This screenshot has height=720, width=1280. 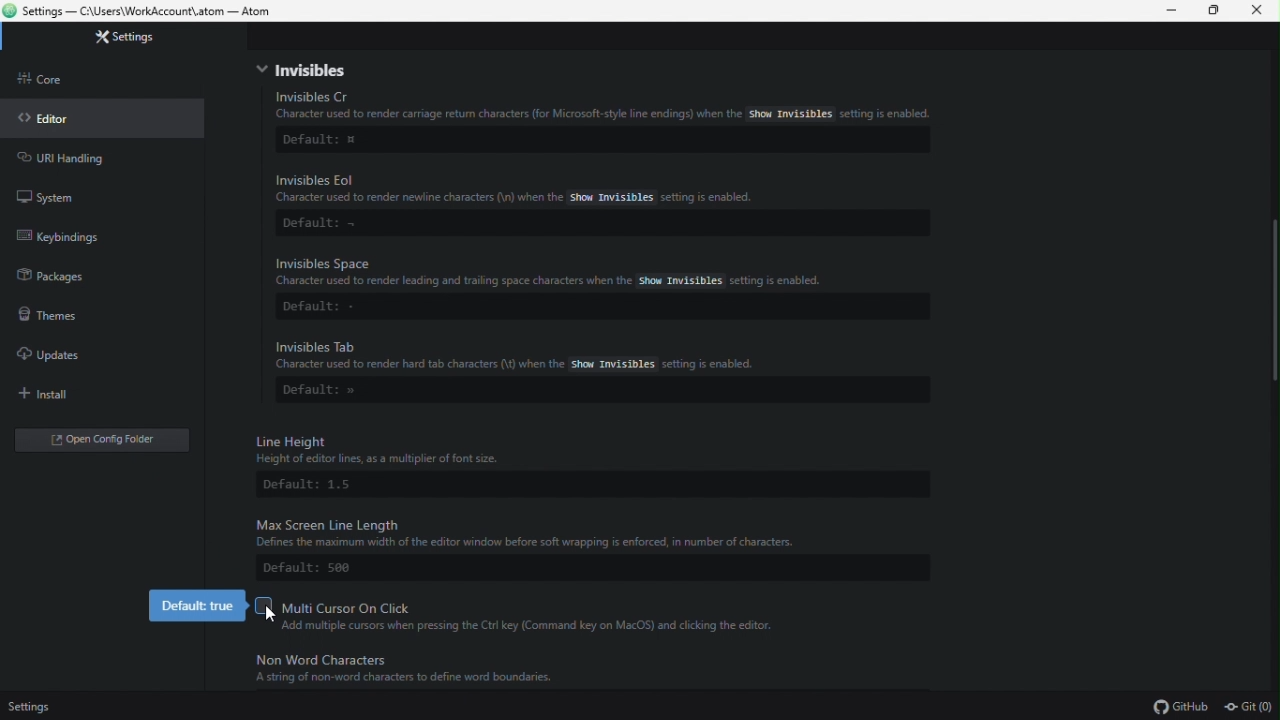 I want to click on Default: -, so click(x=331, y=305).